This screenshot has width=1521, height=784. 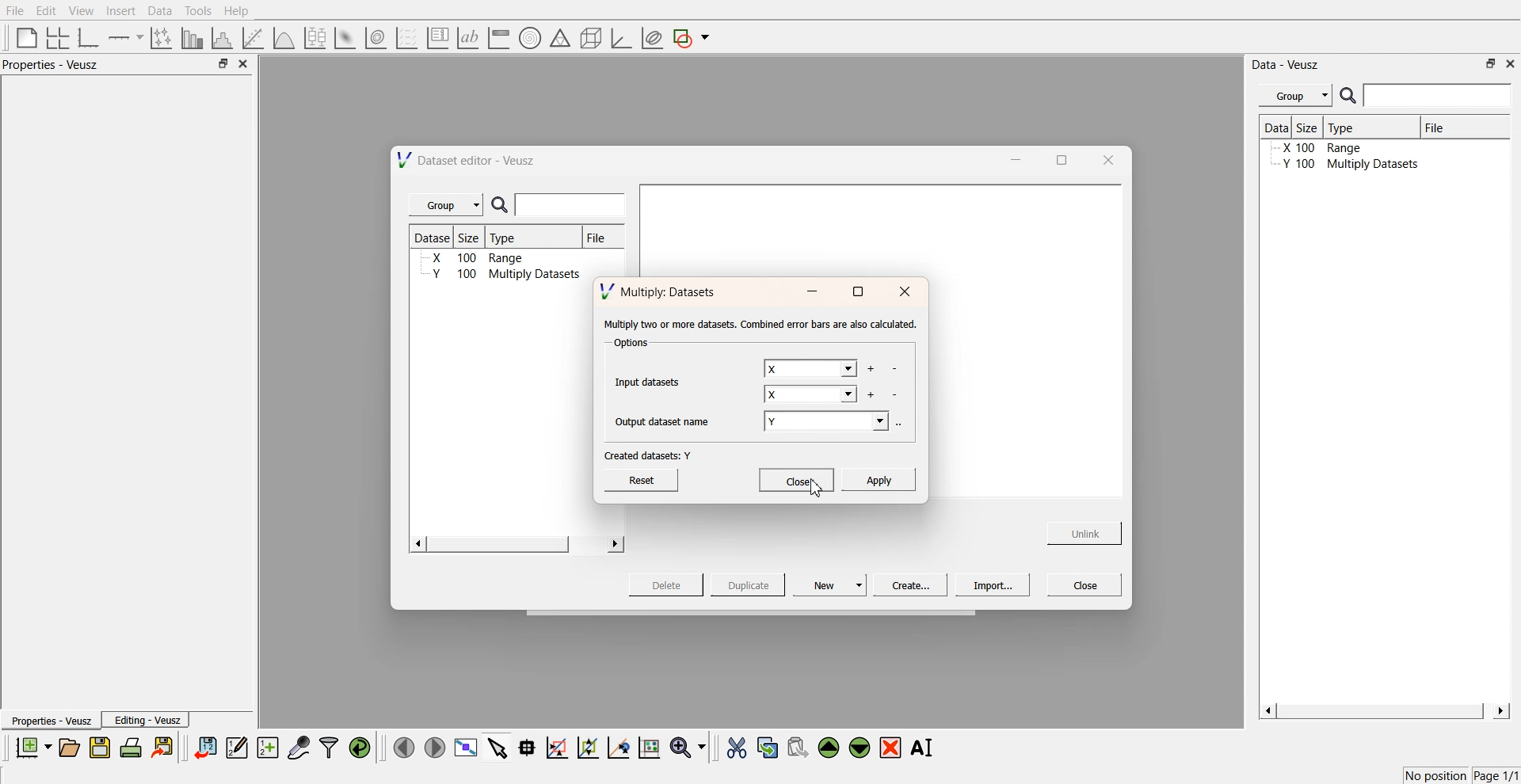 I want to click on close, so click(x=1107, y=159).